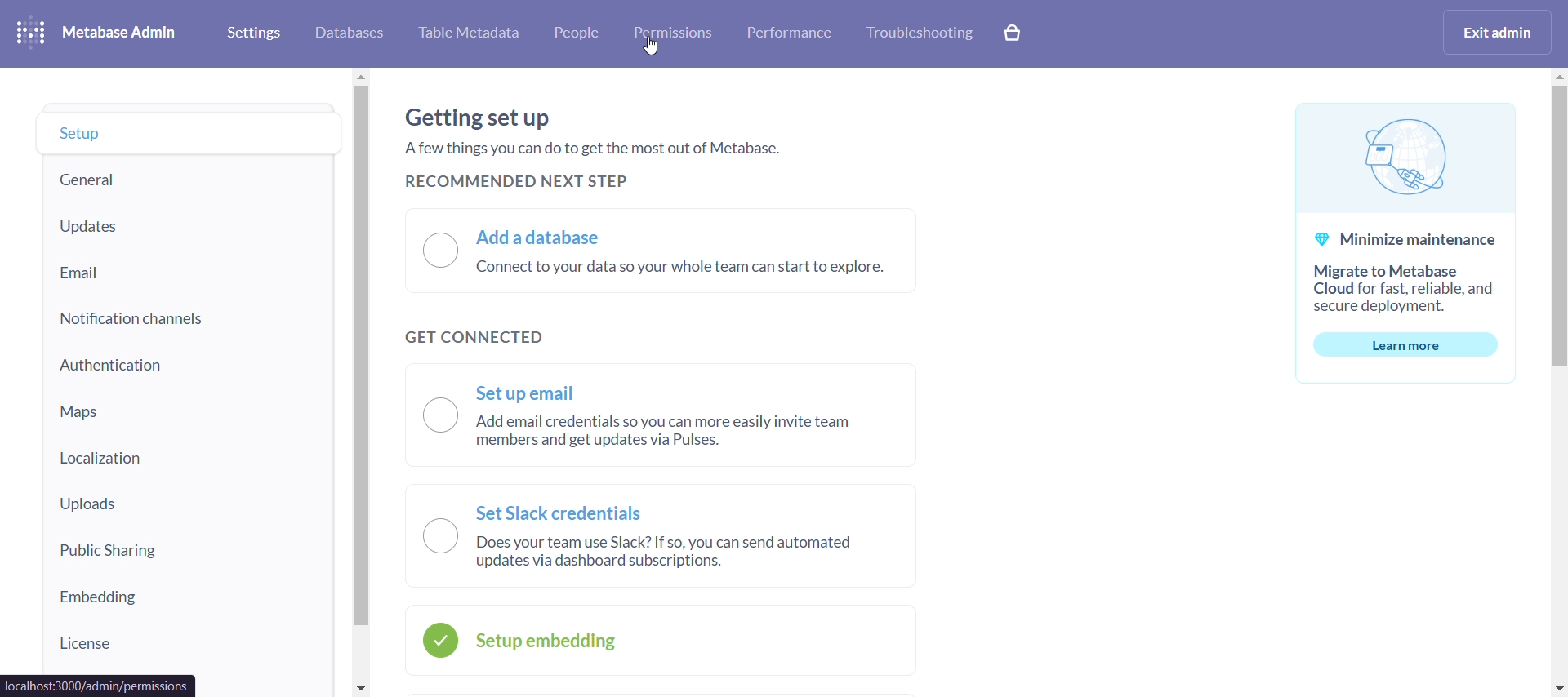 The height and width of the screenshot is (697, 1568). Describe the element at coordinates (363, 382) in the screenshot. I see `vertical scroll bar` at that location.